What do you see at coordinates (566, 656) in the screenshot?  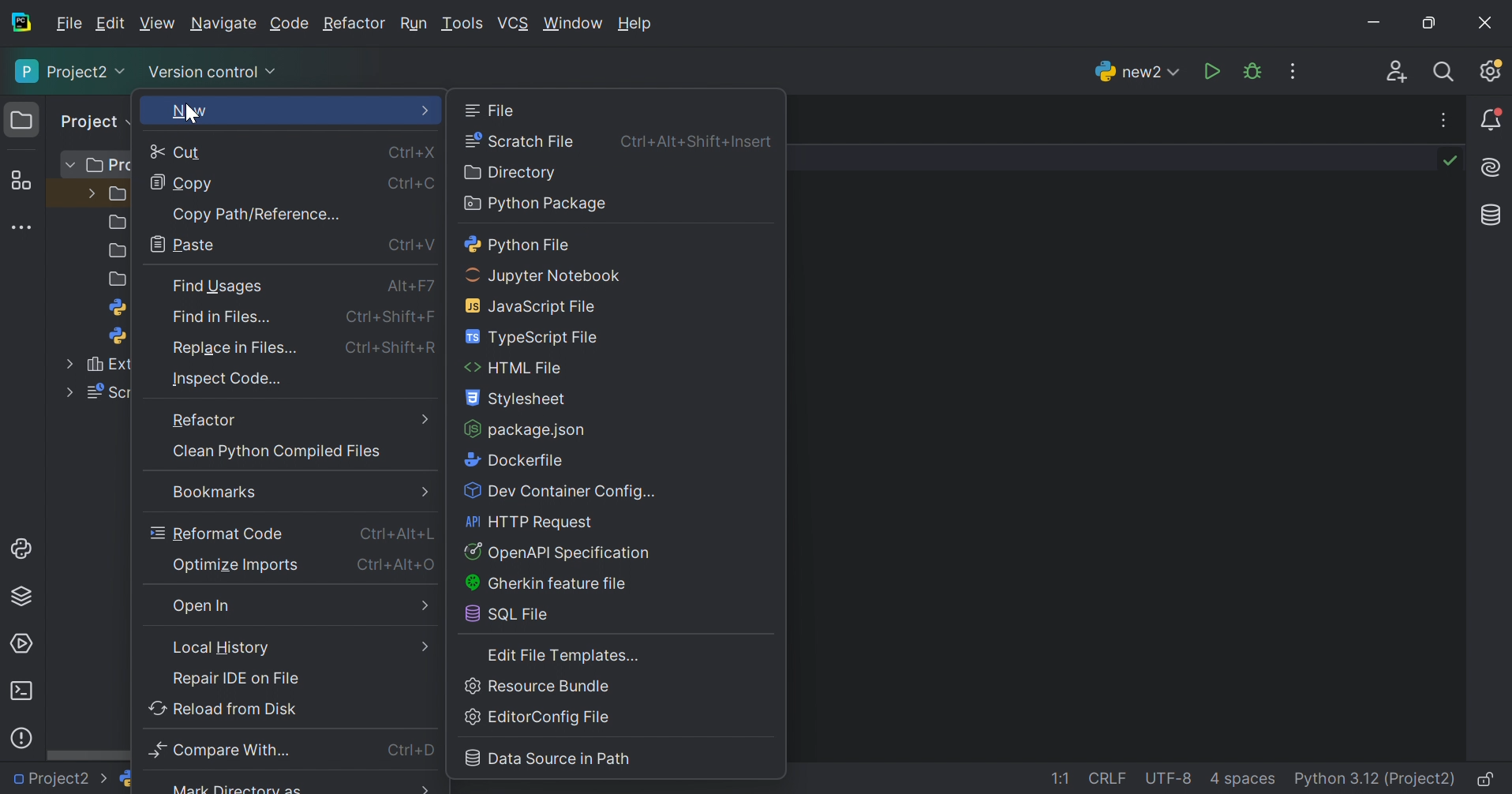 I see `Edit file templates...` at bounding box center [566, 656].